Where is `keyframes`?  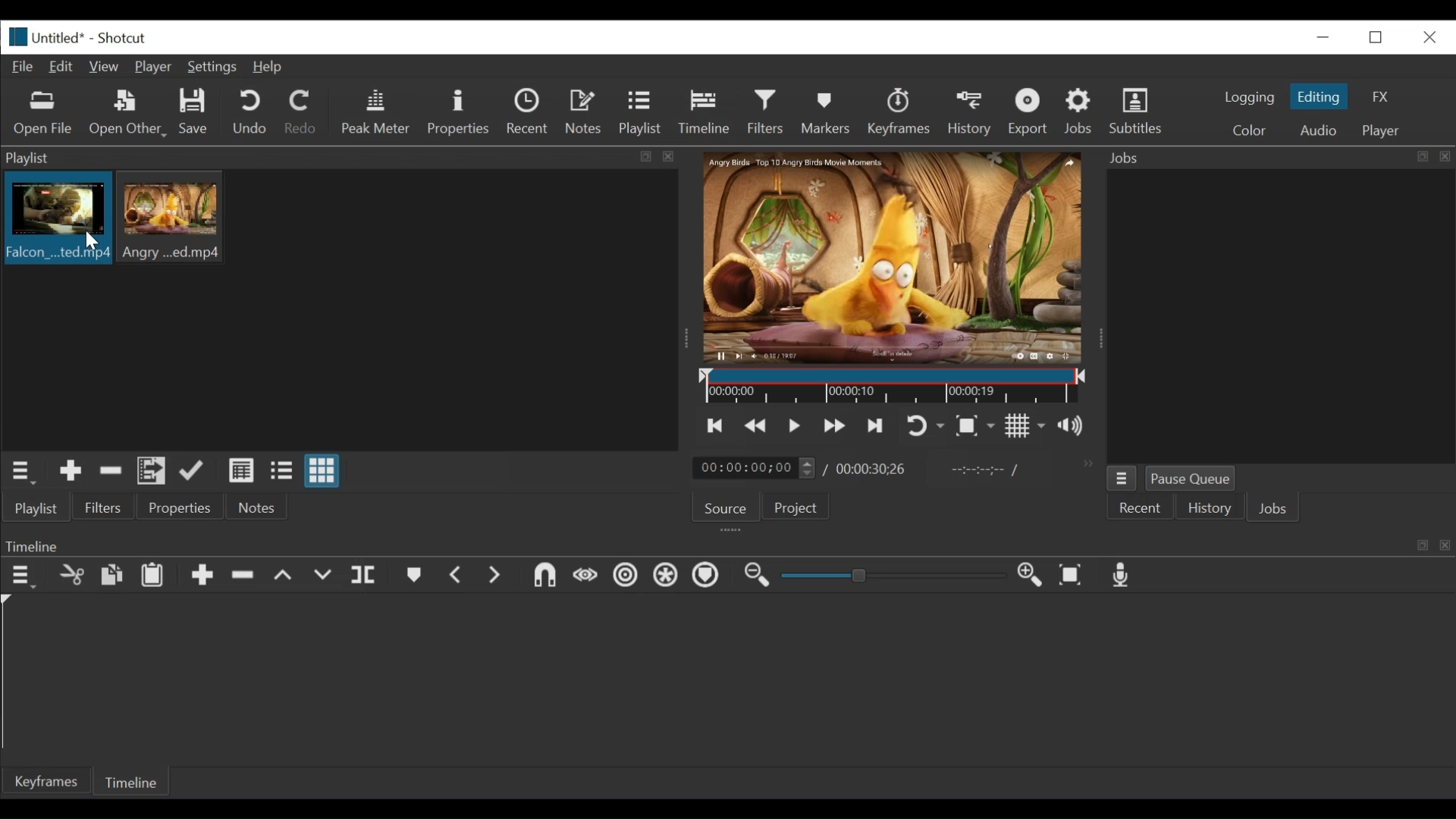
keyframes is located at coordinates (900, 114).